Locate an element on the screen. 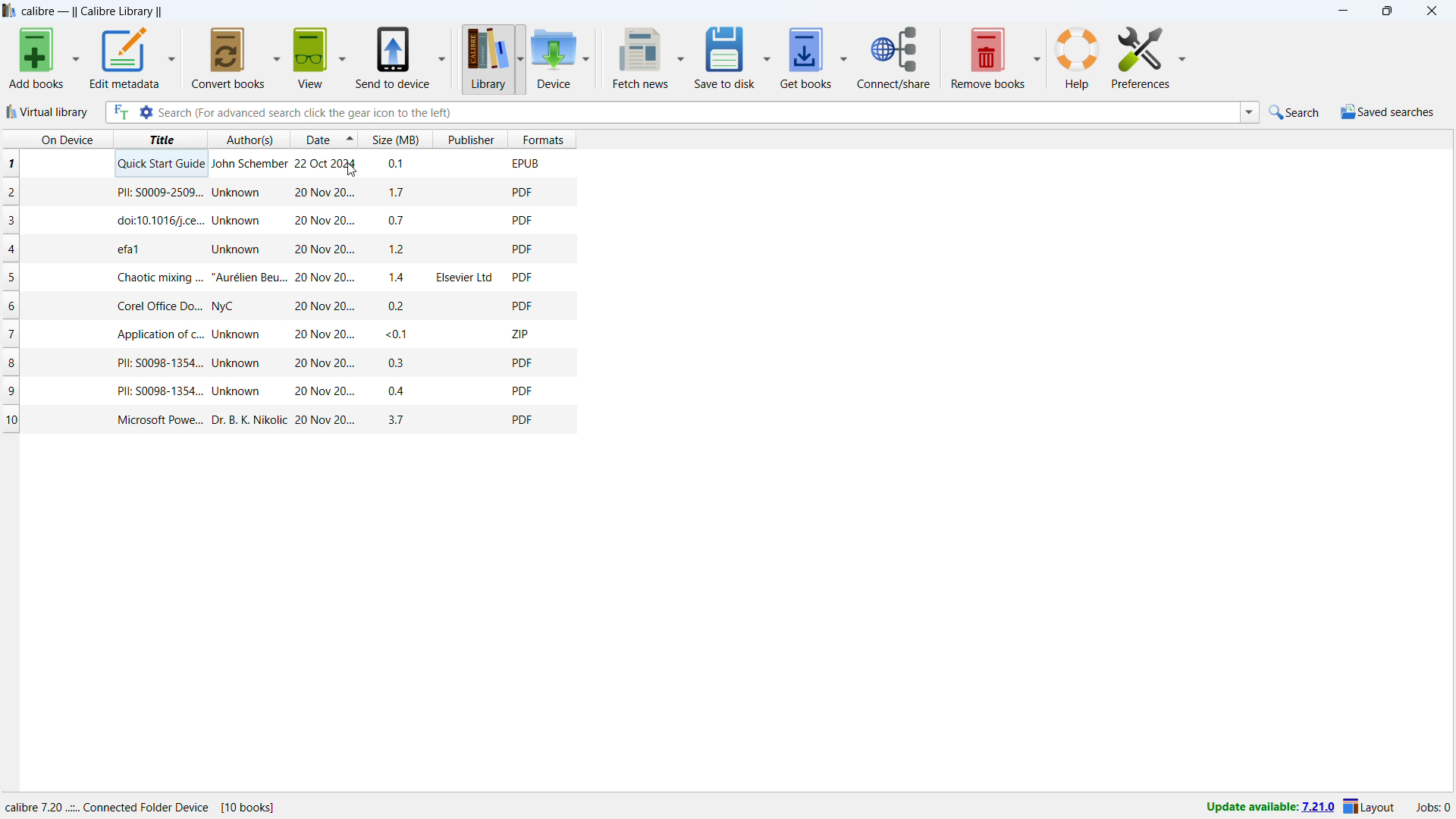  layout is located at coordinates (1370, 808).